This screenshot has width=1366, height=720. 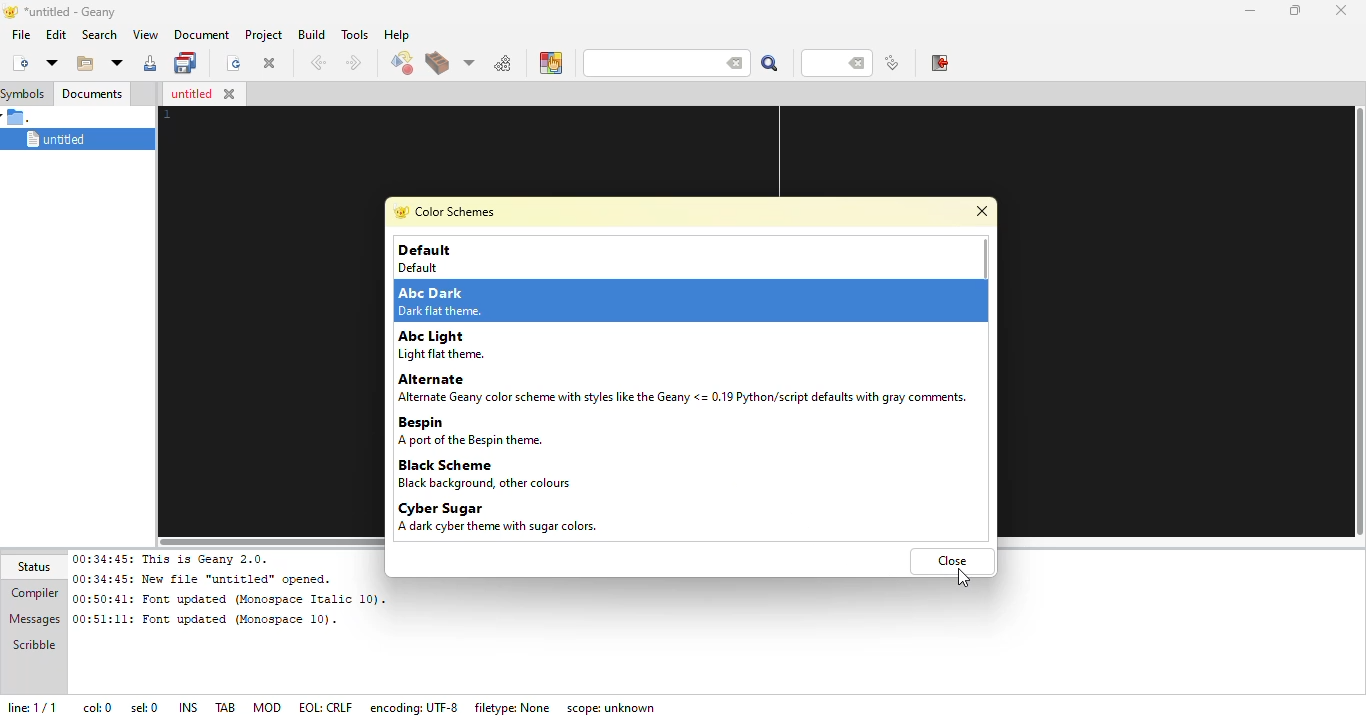 What do you see at coordinates (9, 11) in the screenshot?
I see `logo` at bounding box center [9, 11].